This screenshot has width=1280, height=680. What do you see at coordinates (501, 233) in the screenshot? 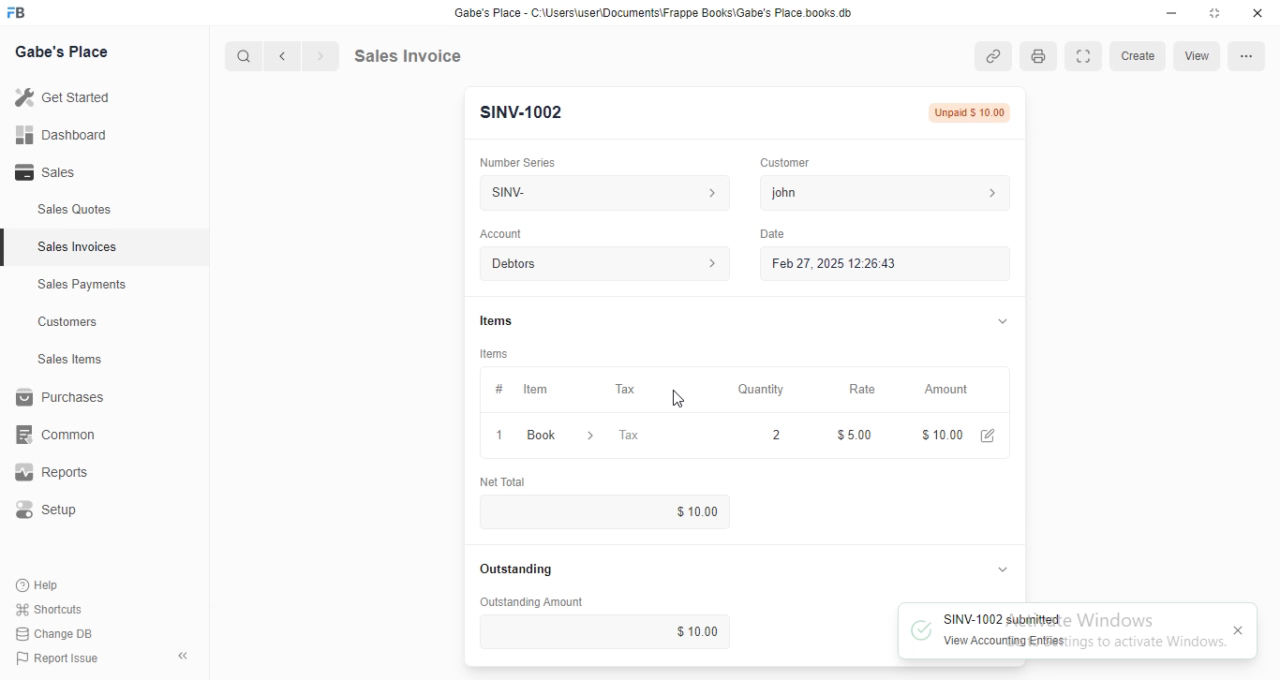
I see `Account` at bounding box center [501, 233].